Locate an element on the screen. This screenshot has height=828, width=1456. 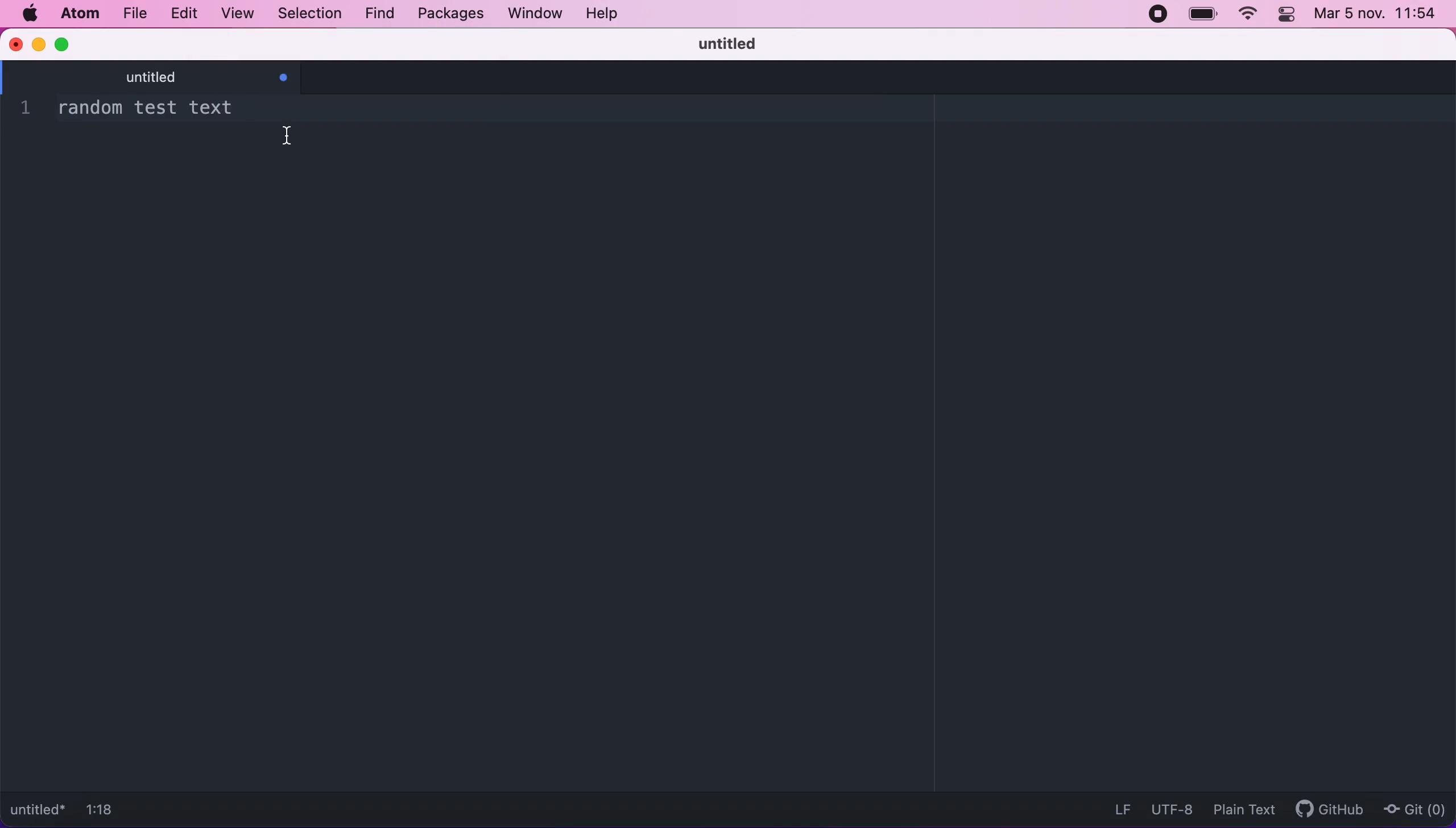
Git (0) is located at coordinates (1414, 808).